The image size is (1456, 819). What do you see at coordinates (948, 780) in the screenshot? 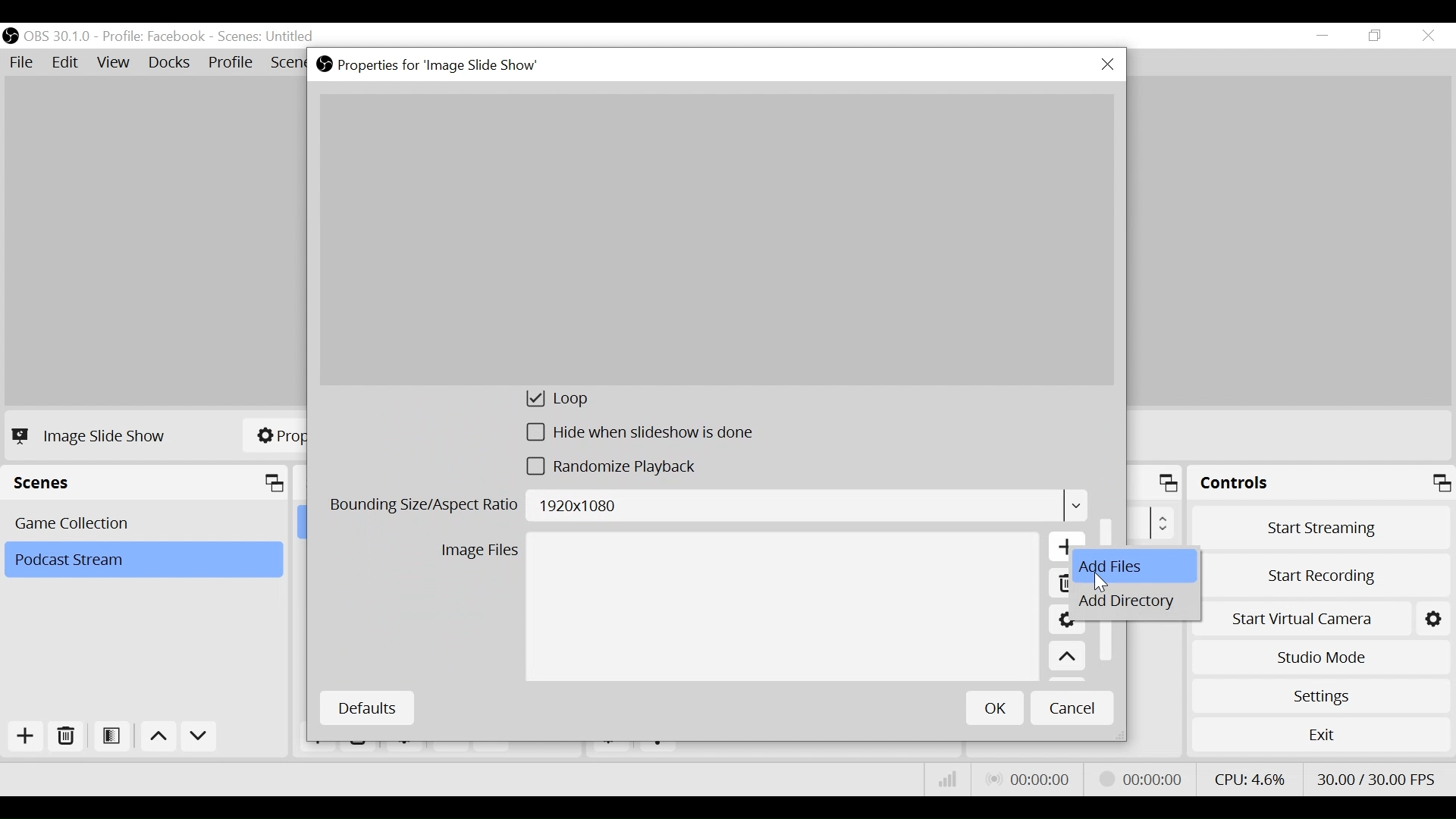
I see `Bitrate` at bounding box center [948, 780].